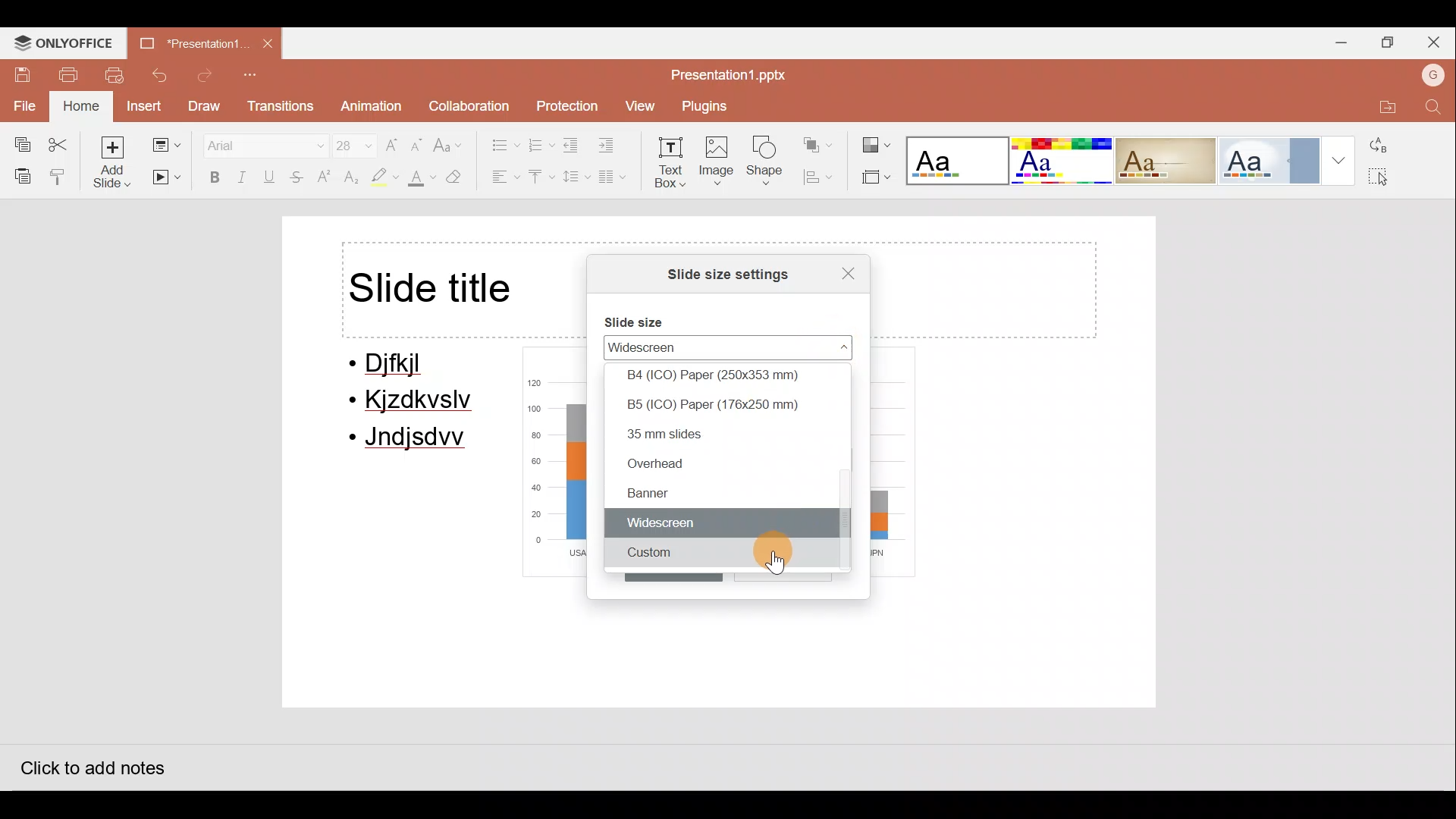 The height and width of the screenshot is (819, 1456). What do you see at coordinates (254, 76) in the screenshot?
I see `Customize quick access toolbar` at bounding box center [254, 76].